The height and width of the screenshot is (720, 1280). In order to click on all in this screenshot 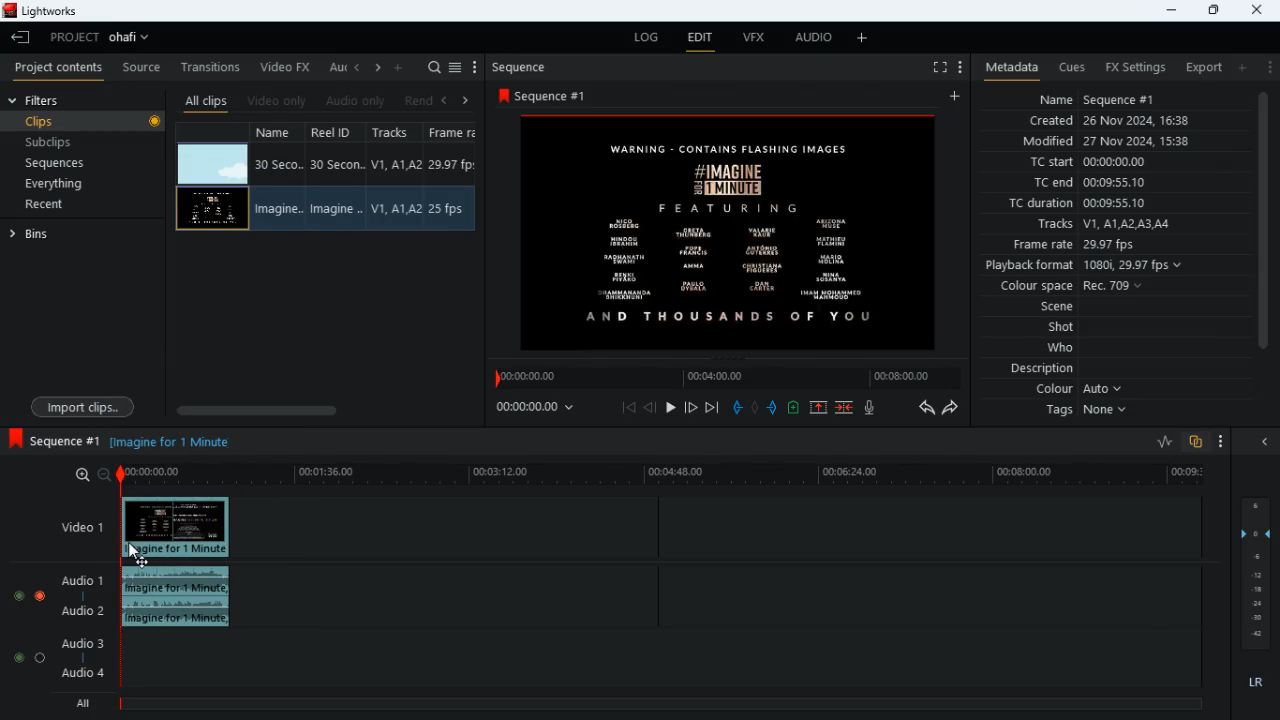, I will do `click(77, 702)`.